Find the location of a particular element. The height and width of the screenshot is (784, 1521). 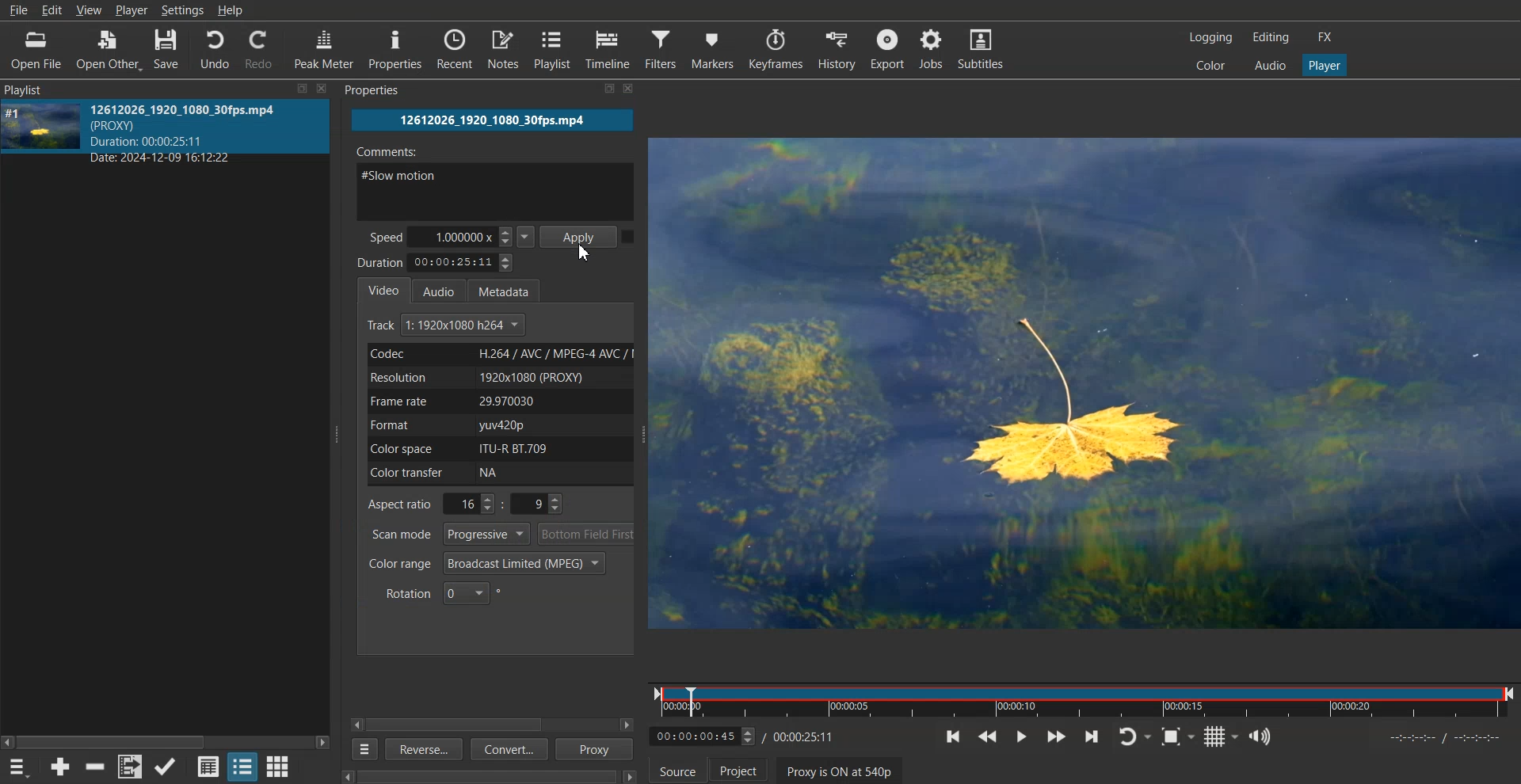

Adjust Speed  is located at coordinates (452, 236).